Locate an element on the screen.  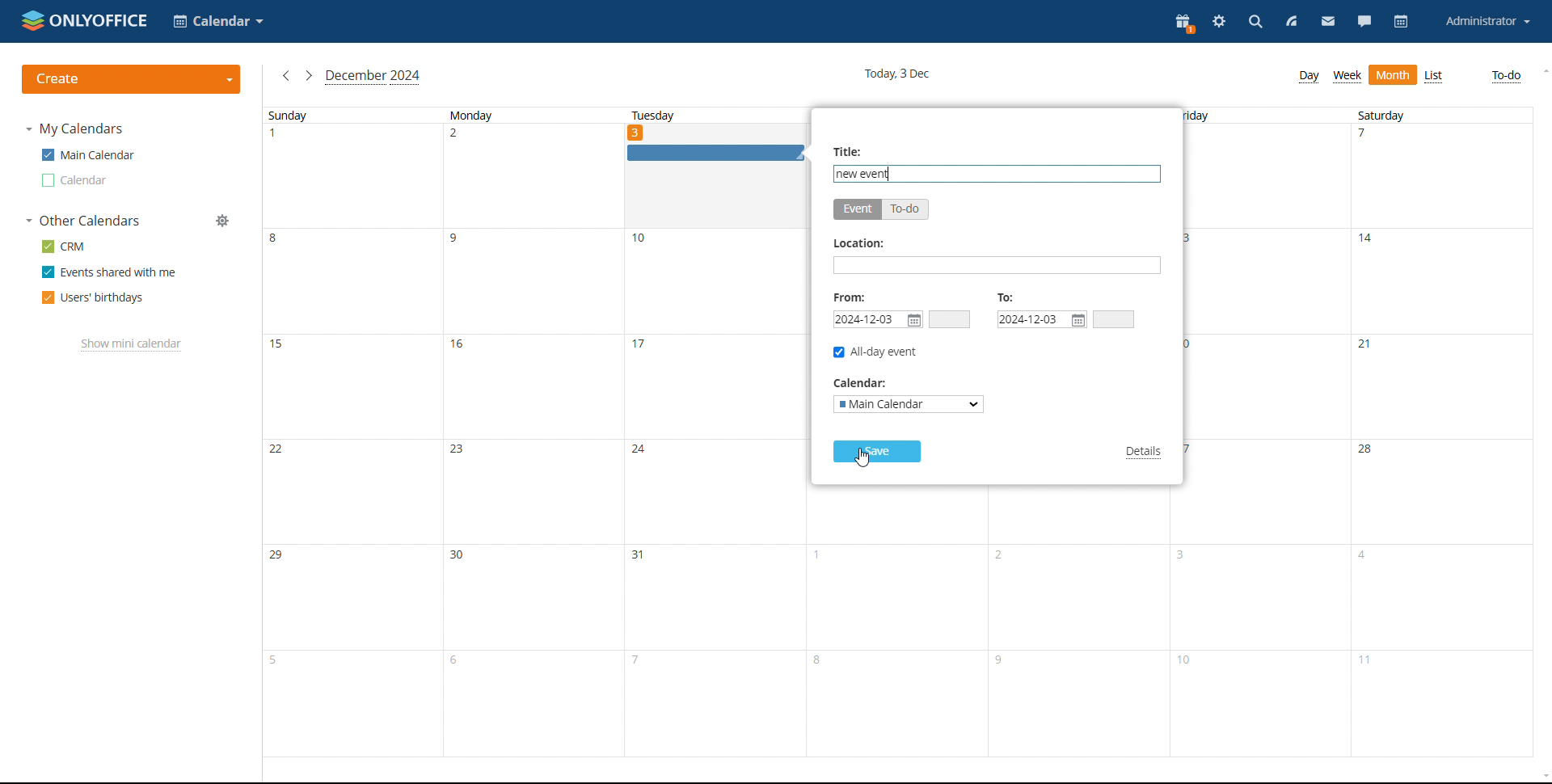
calendar is located at coordinates (1401, 23).